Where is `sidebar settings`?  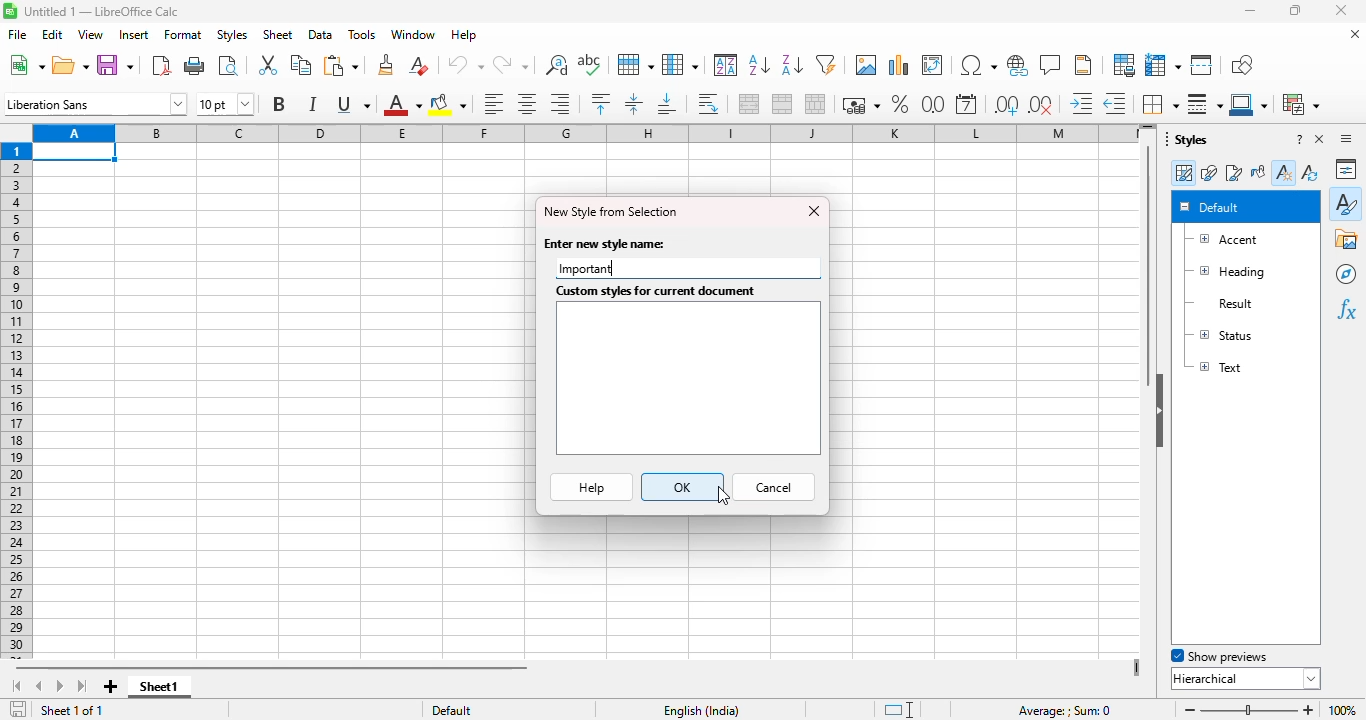
sidebar settings is located at coordinates (1346, 138).